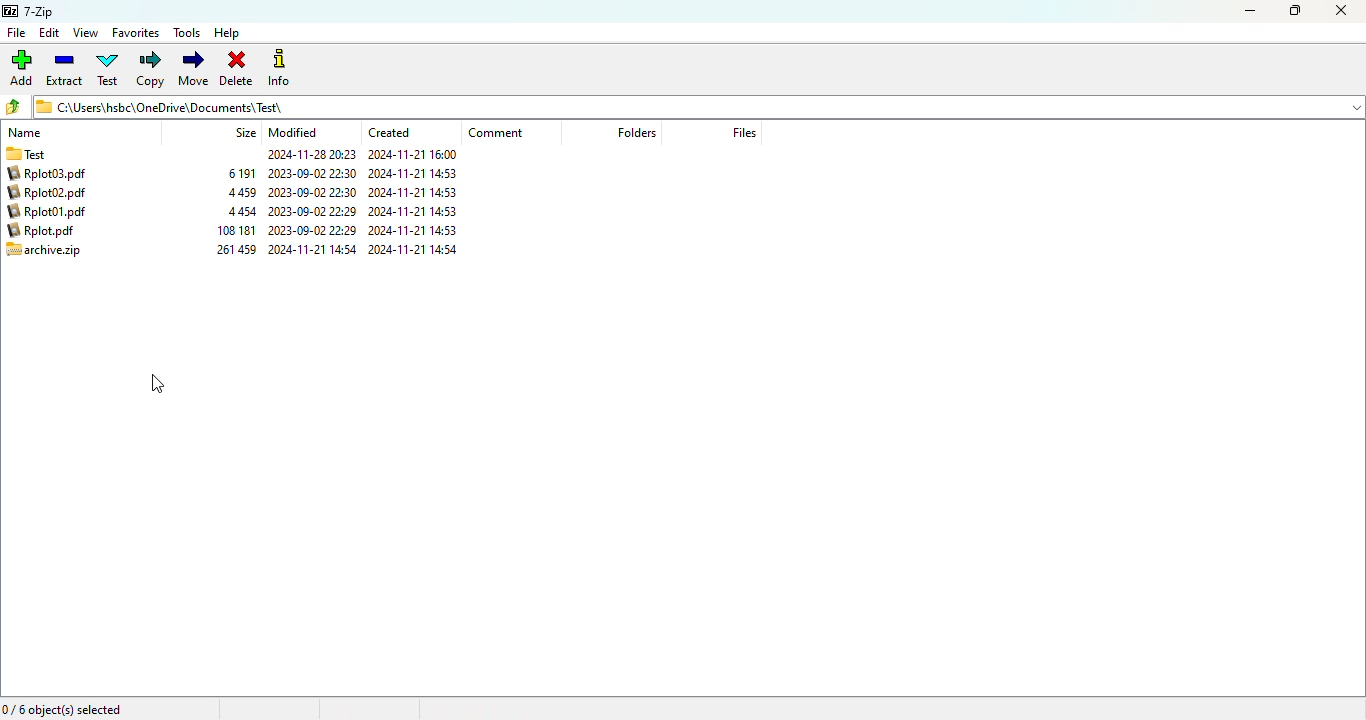  What do you see at coordinates (415, 155) in the screenshot?
I see `2024-11-21 16:00` at bounding box center [415, 155].